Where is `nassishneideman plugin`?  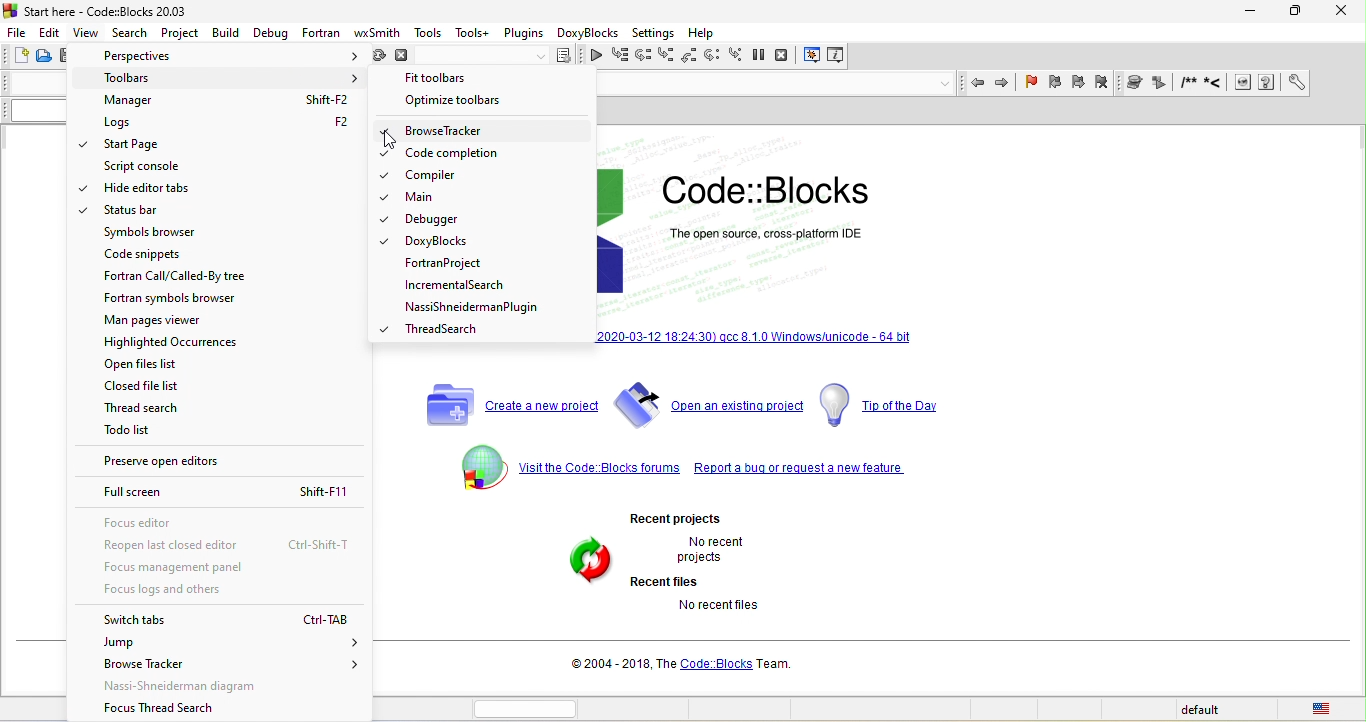
nassishneideman plugin is located at coordinates (473, 308).